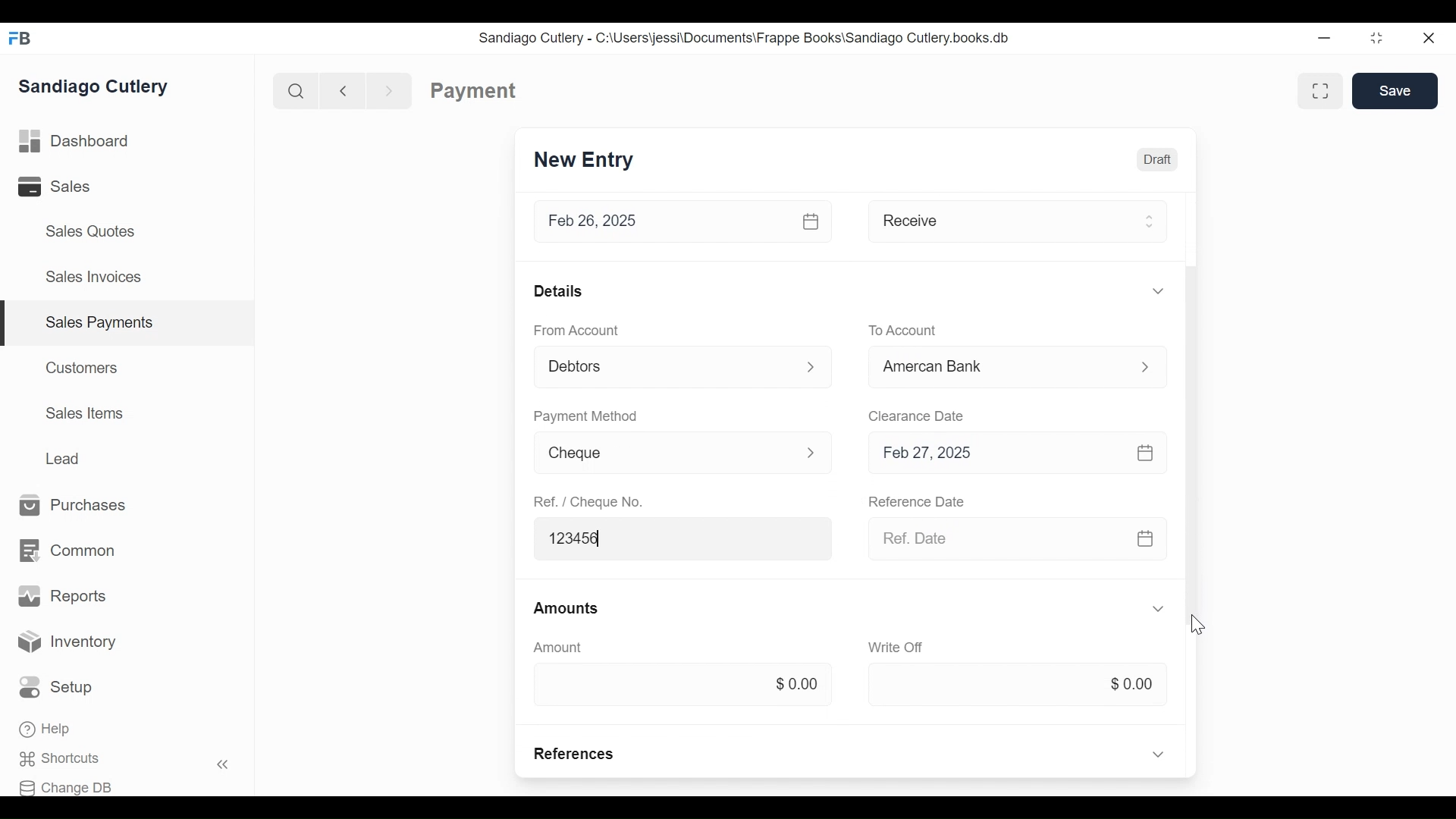  I want to click on Expand, so click(1144, 366).